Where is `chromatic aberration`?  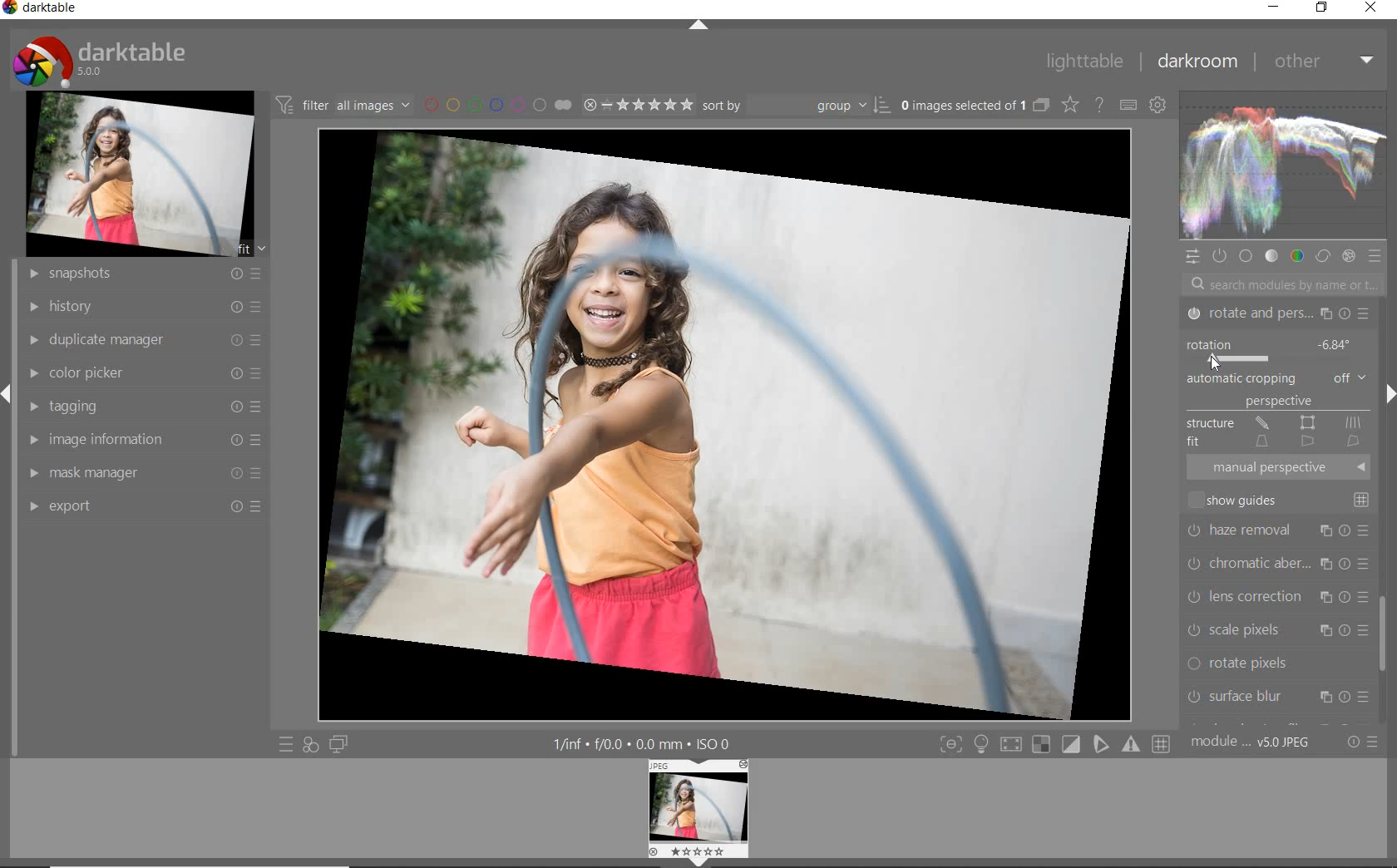
chromatic aberration is located at coordinates (1277, 562).